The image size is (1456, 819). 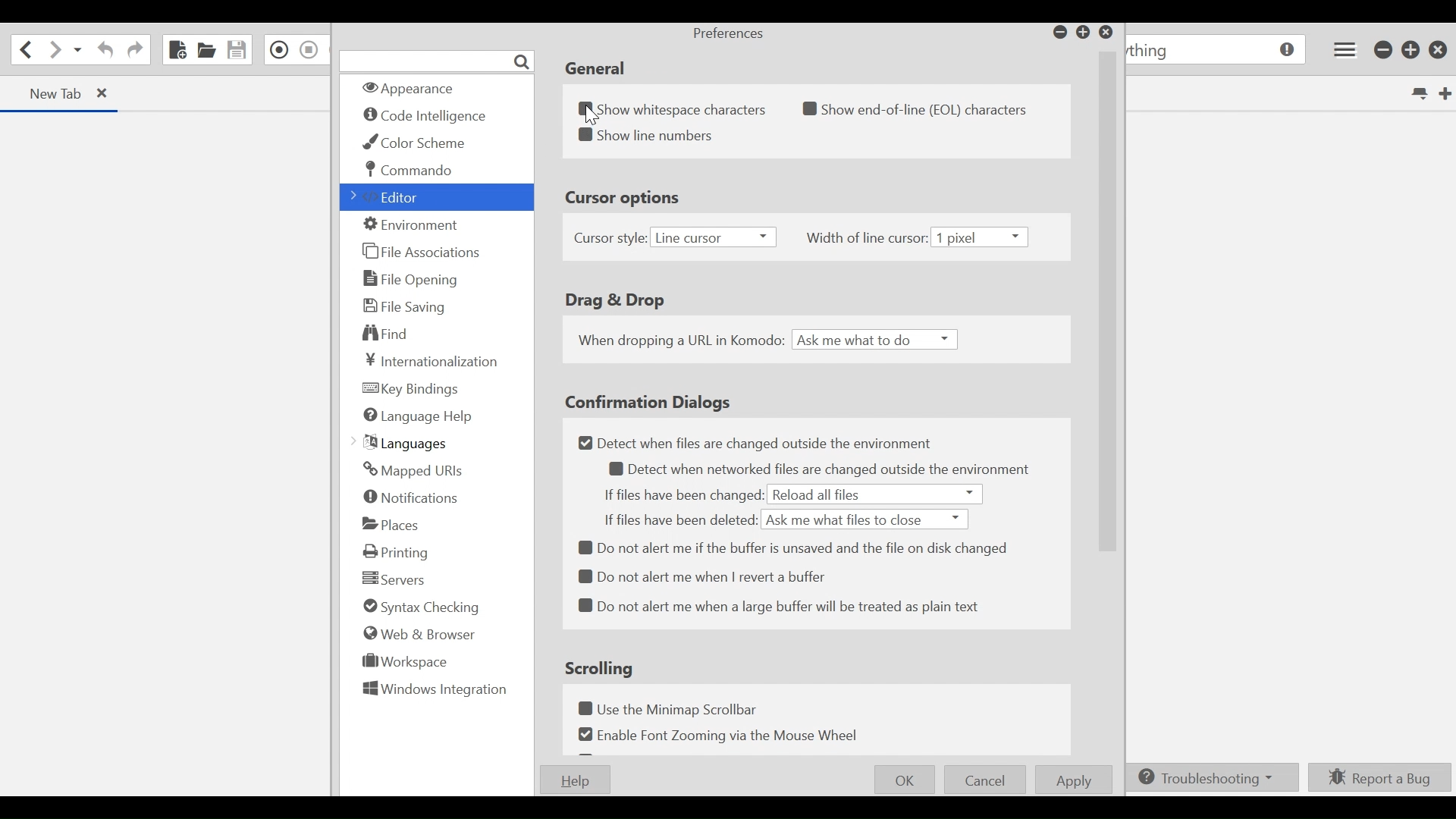 What do you see at coordinates (435, 87) in the screenshot?
I see `Appearance` at bounding box center [435, 87].